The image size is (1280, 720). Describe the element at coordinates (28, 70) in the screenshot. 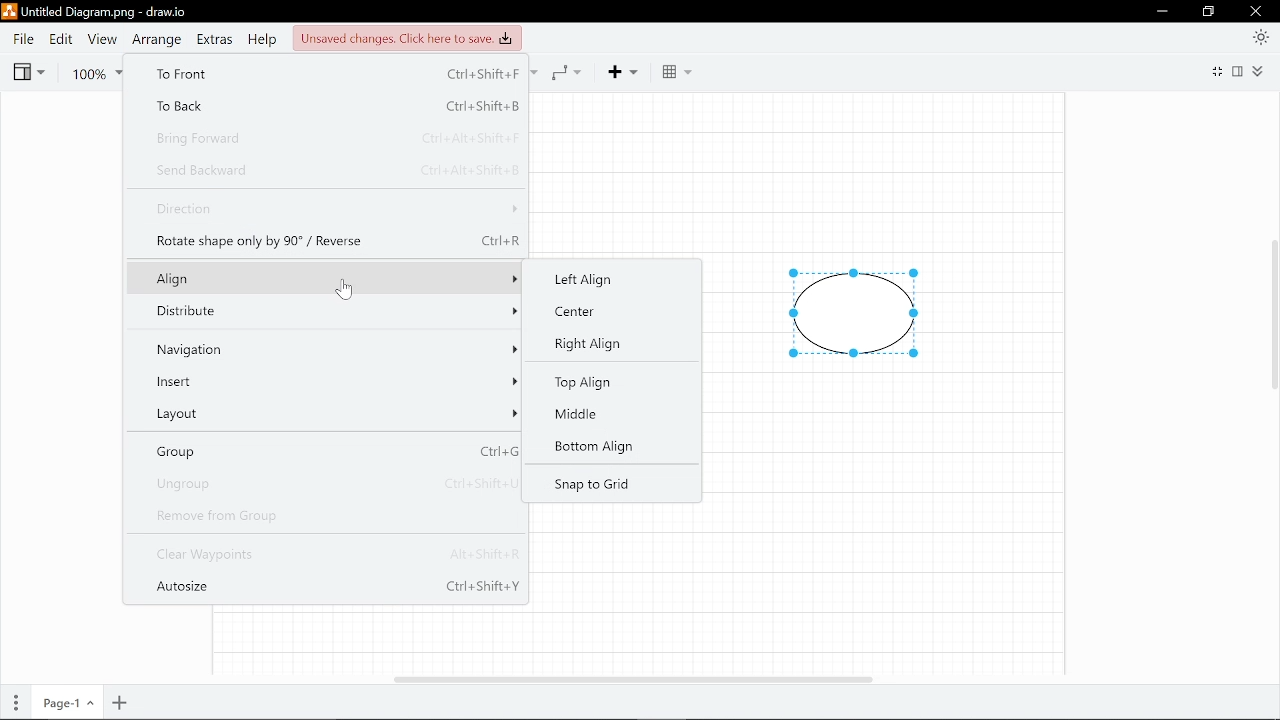

I see `View` at that location.